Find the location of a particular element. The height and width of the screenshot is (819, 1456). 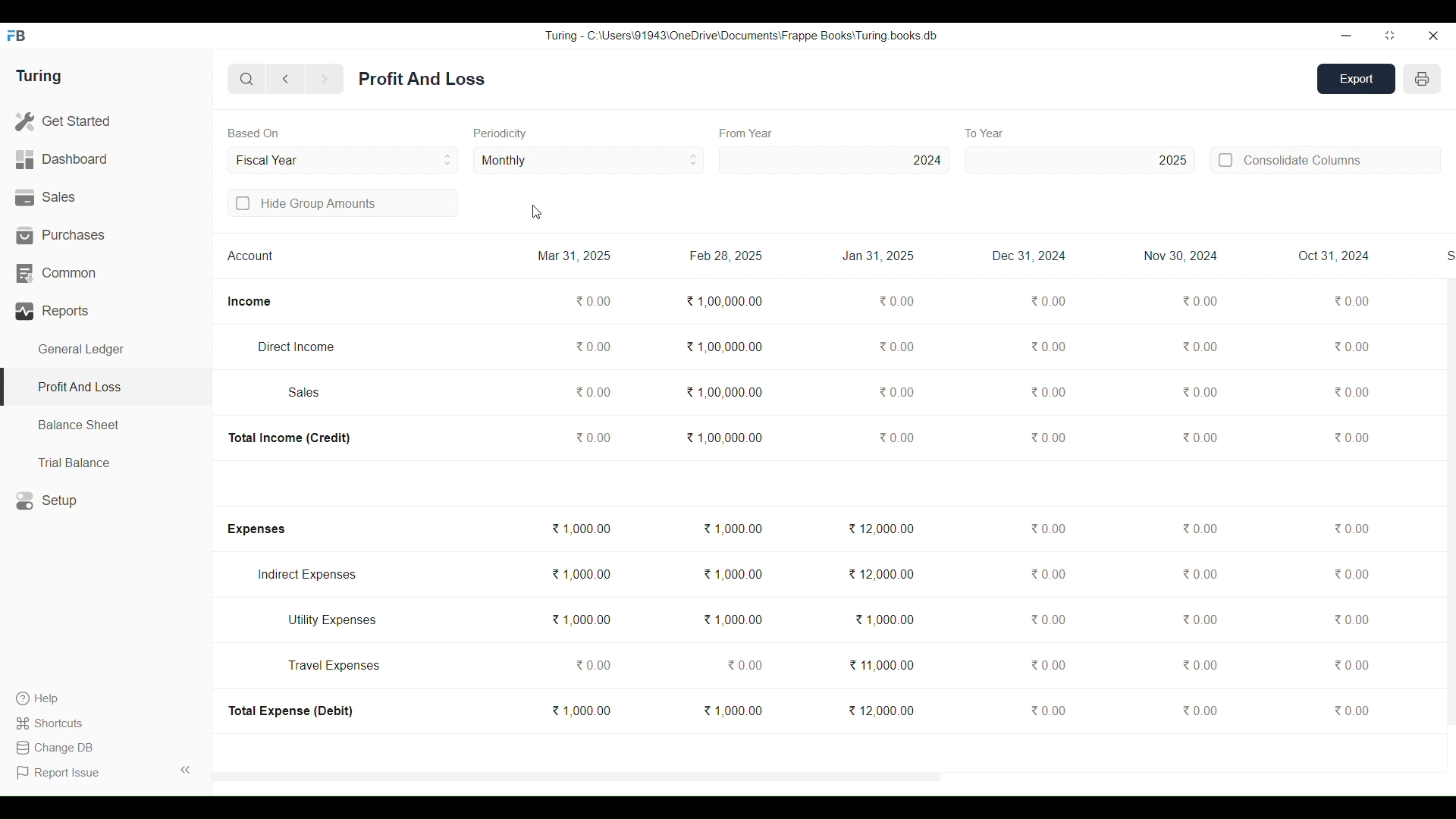

Search is located at coordinates (247, 79).